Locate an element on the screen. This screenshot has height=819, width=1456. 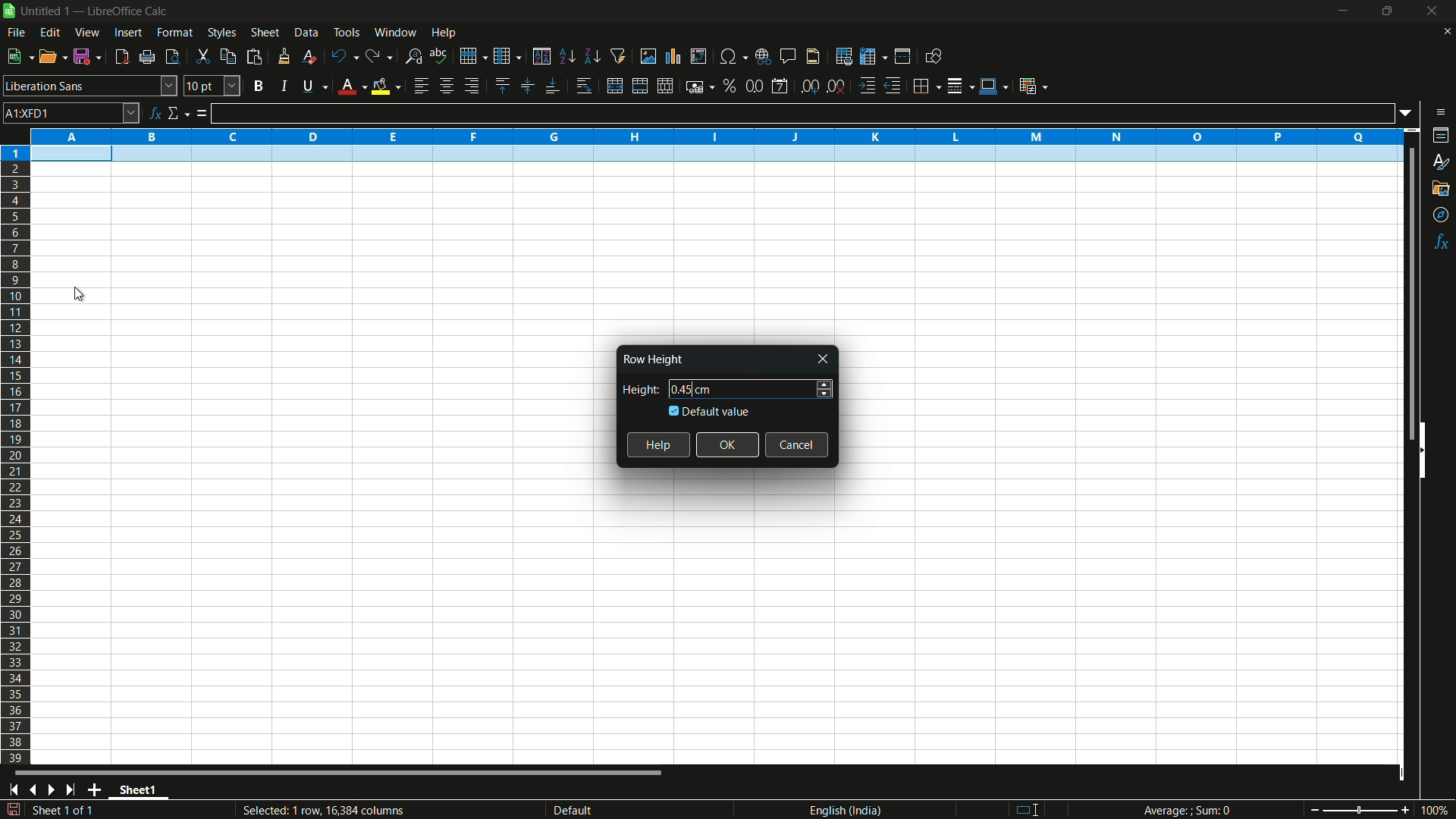
formula is located at coordinates (202, 115).